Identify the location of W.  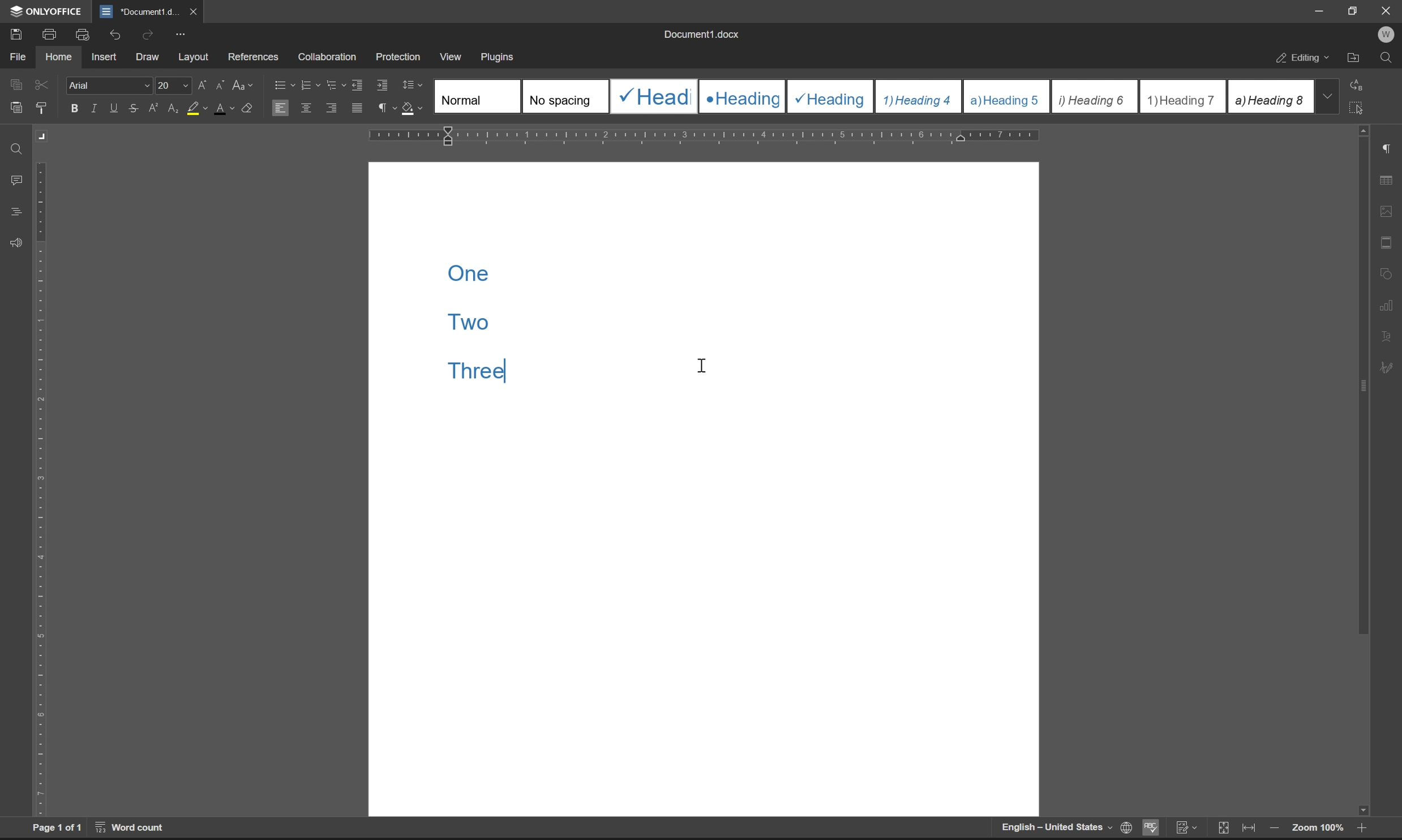
(1388, 35).